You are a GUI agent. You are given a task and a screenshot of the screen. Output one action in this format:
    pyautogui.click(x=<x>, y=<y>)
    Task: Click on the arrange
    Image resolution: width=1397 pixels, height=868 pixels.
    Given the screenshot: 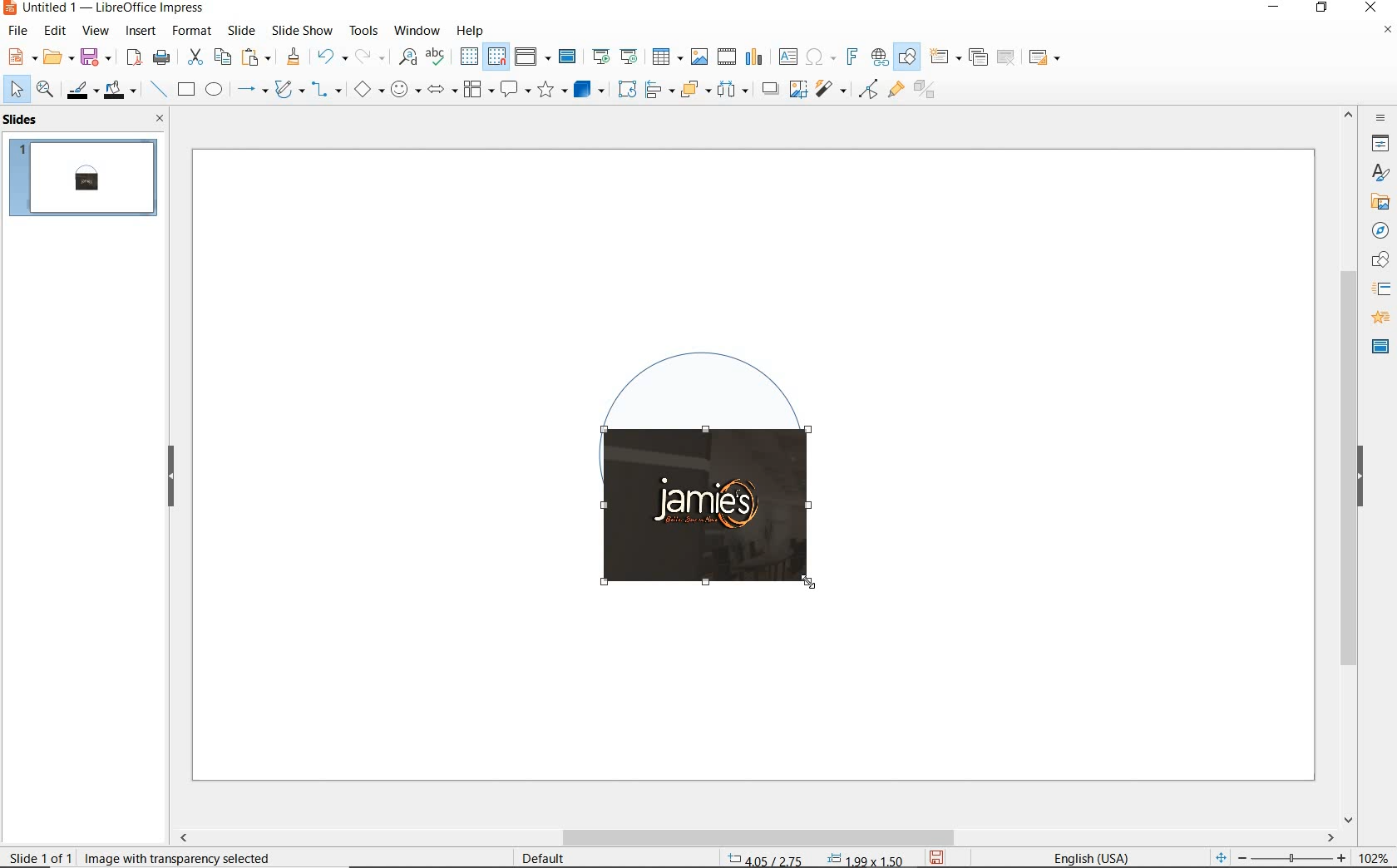 What is the action you would take?
    pyautogui.click(x=692, y=88)
    